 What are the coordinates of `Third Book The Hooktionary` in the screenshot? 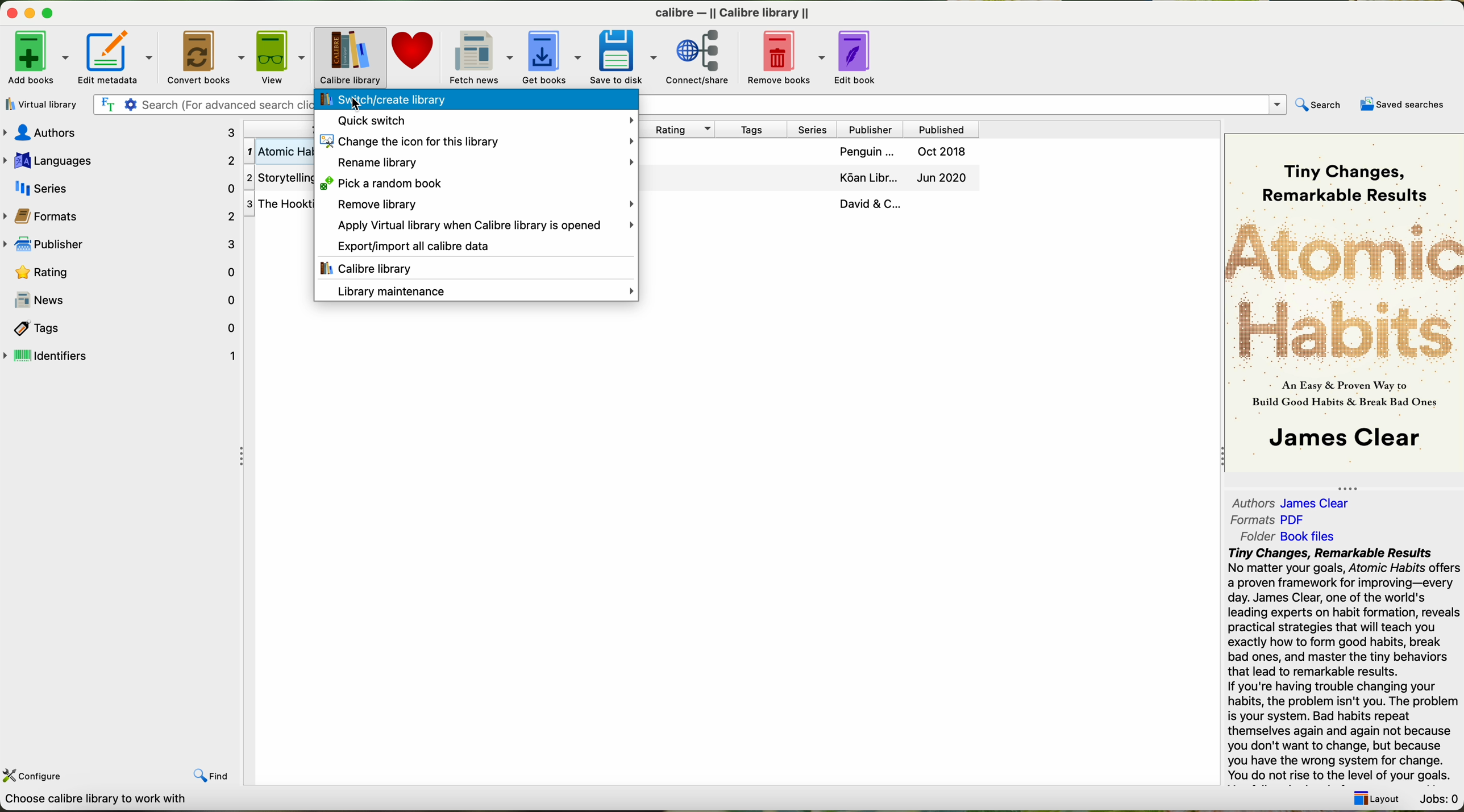 It's located at (279, 205).